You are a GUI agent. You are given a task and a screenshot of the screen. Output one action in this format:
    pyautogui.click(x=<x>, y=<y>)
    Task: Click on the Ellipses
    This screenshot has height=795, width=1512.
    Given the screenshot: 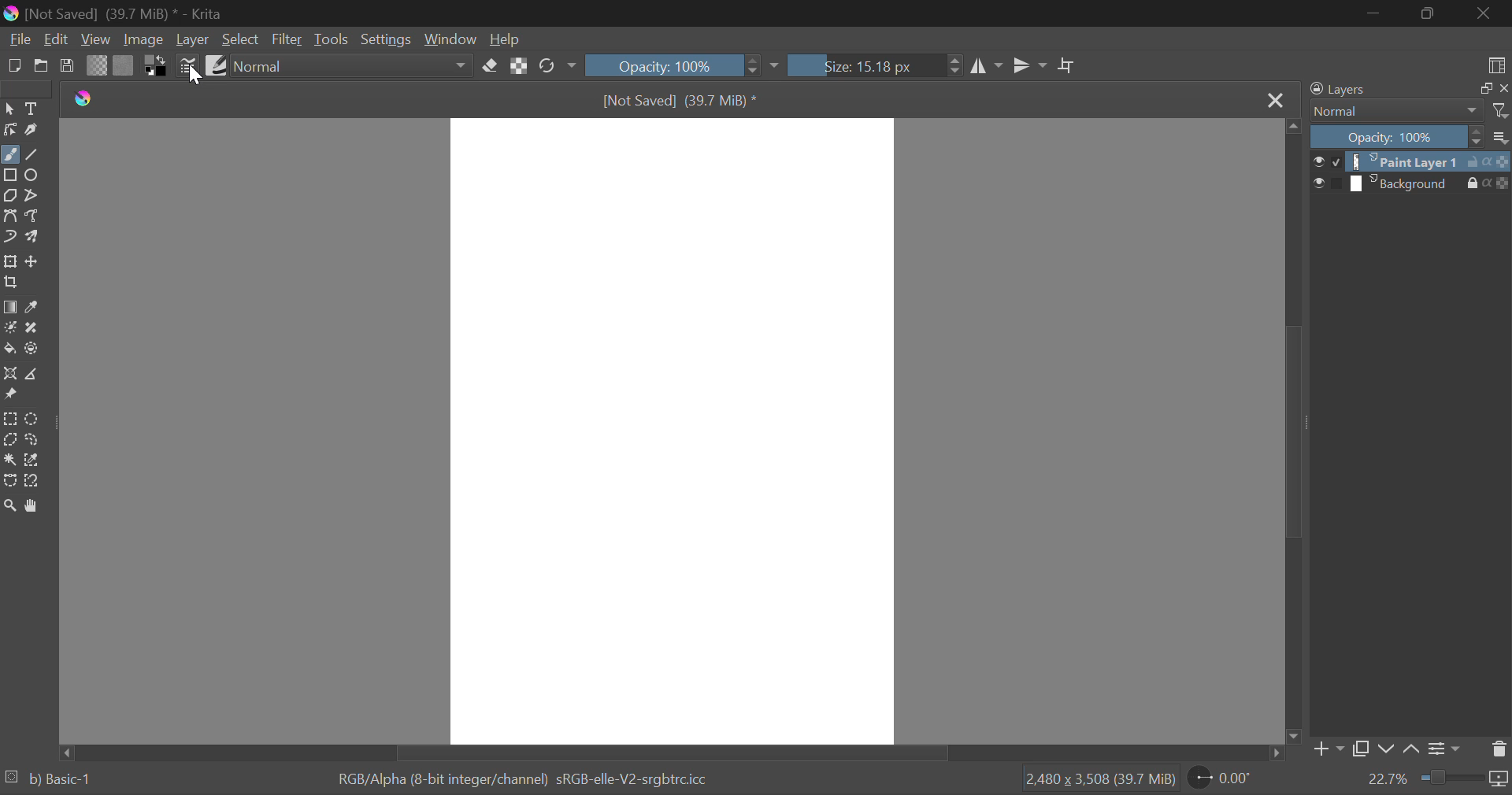 What is the action you would take?
    pyautogui.click(x=36, y=175)
    